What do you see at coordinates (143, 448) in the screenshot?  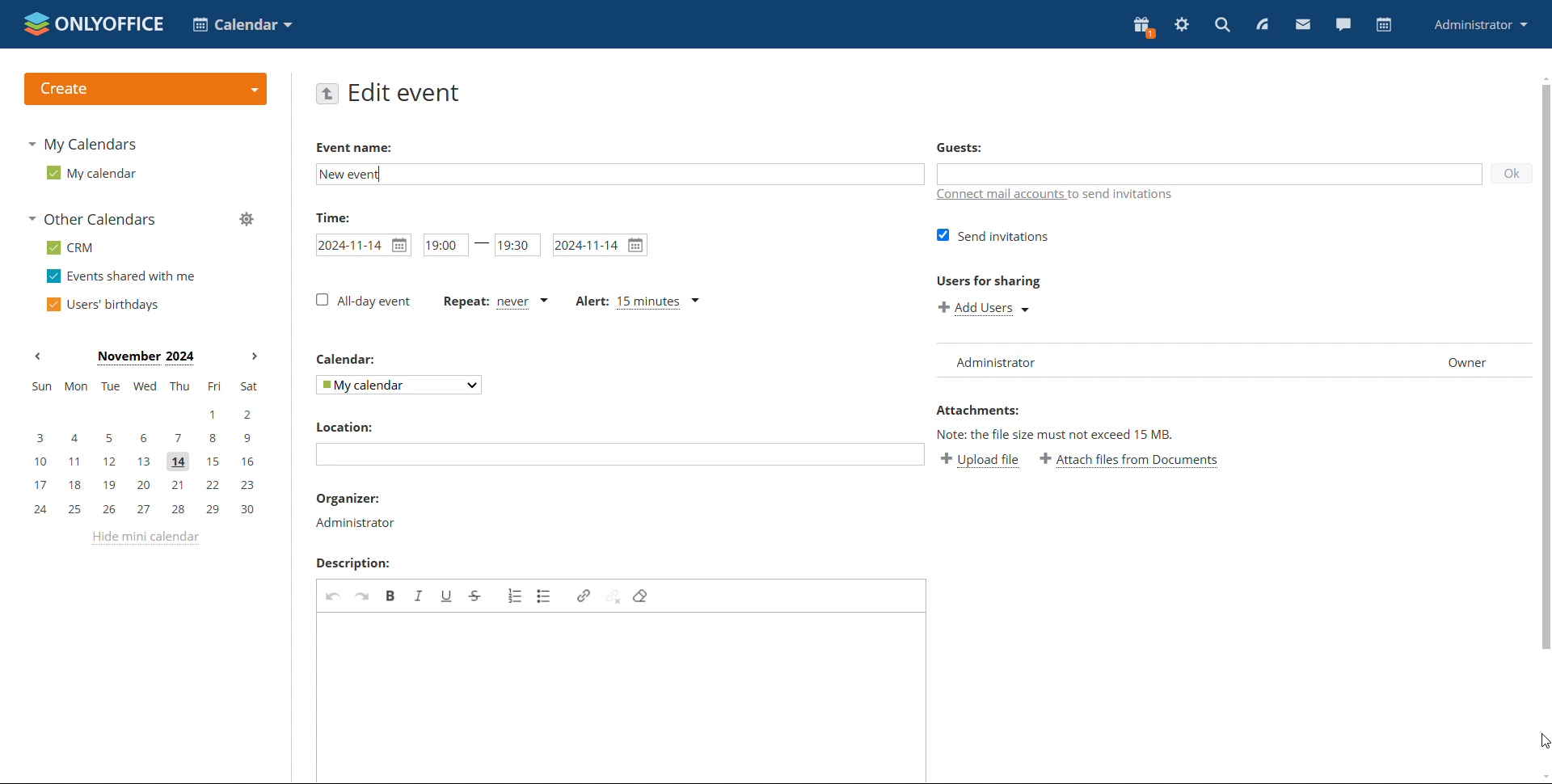 I see `mini calendar` at bounding box center [143, 448].